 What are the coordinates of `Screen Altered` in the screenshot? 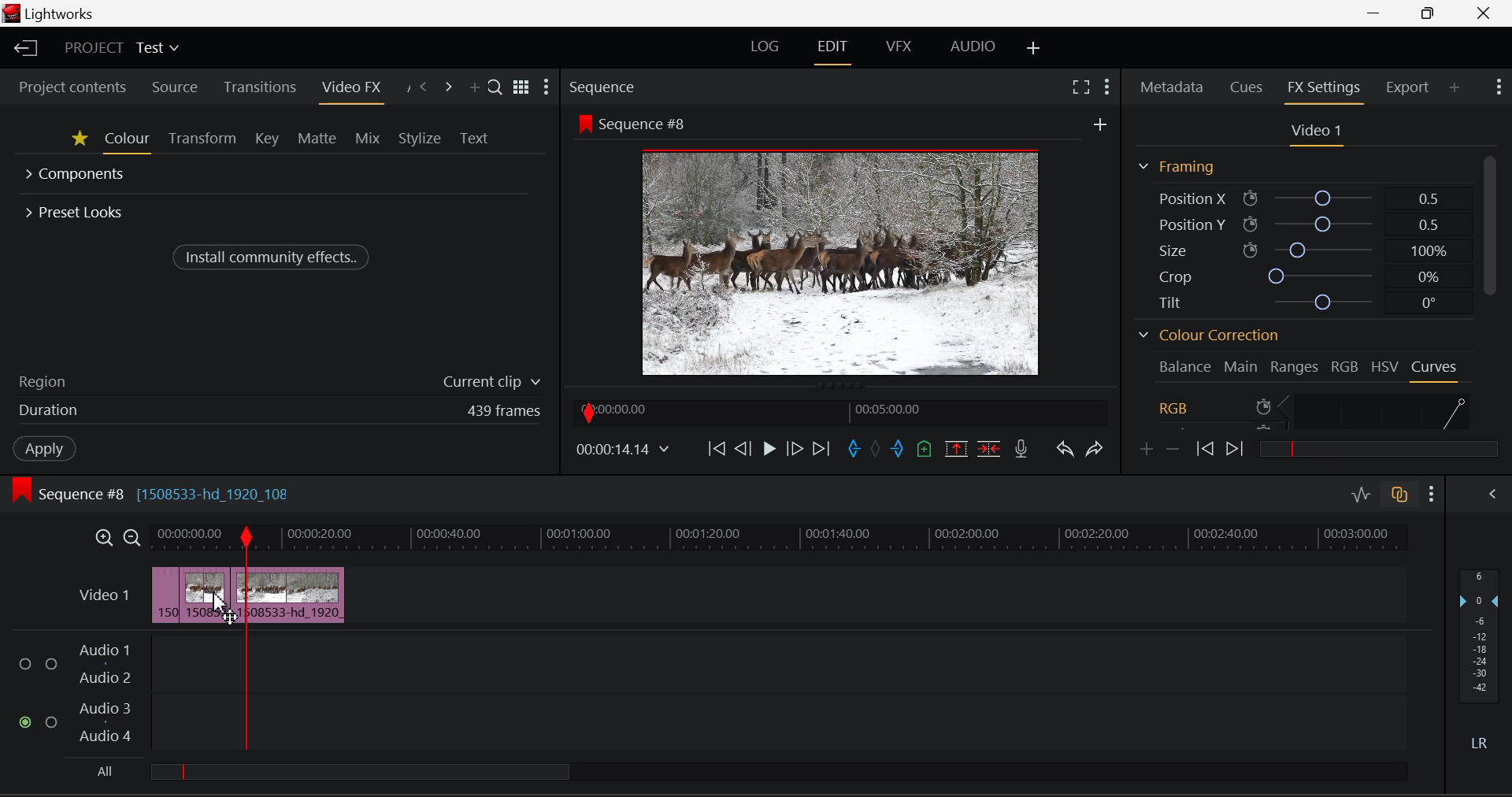 It's located at (841, 261).